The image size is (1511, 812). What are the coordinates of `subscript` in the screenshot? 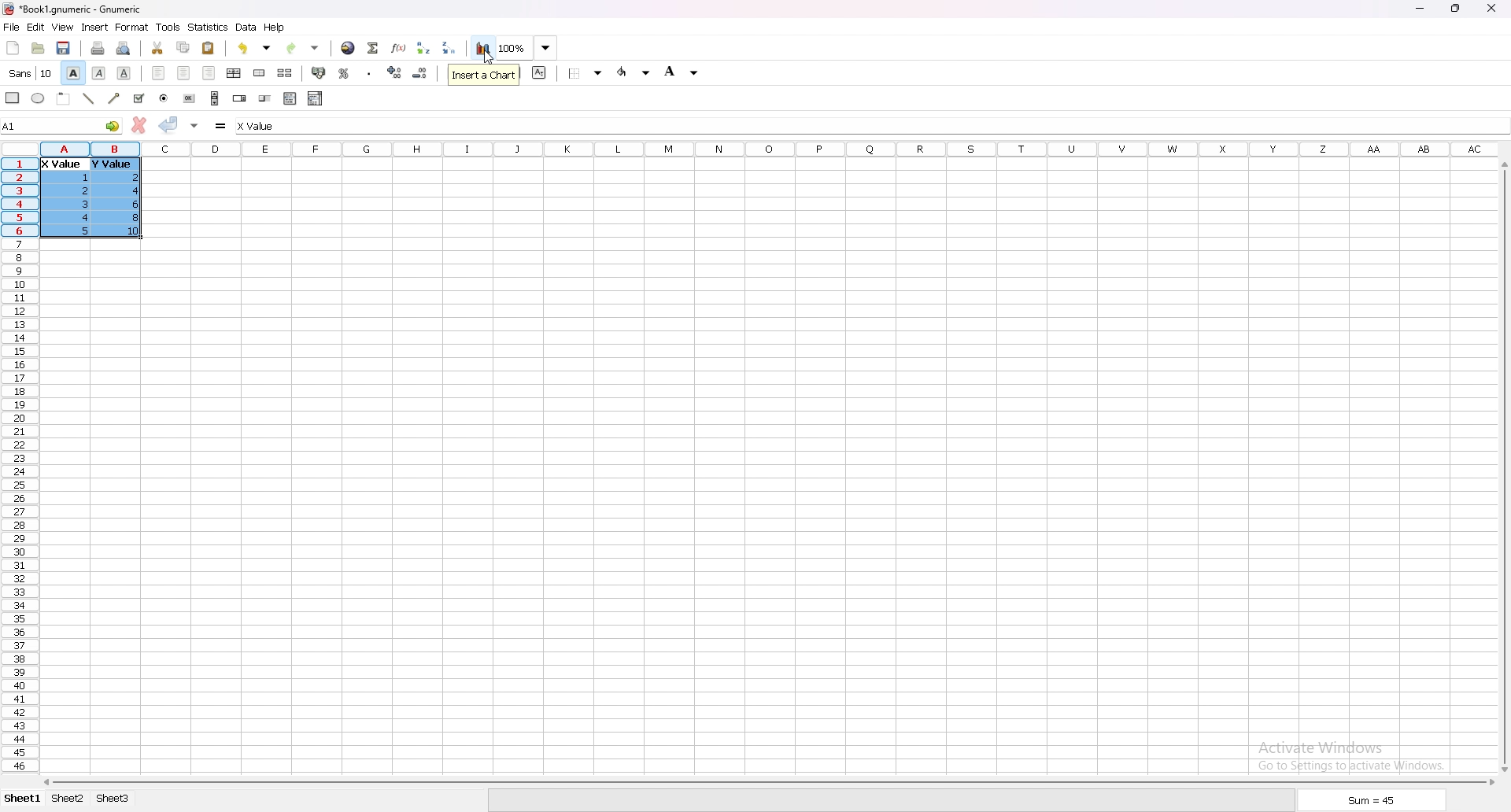 It's located at (540, 72).